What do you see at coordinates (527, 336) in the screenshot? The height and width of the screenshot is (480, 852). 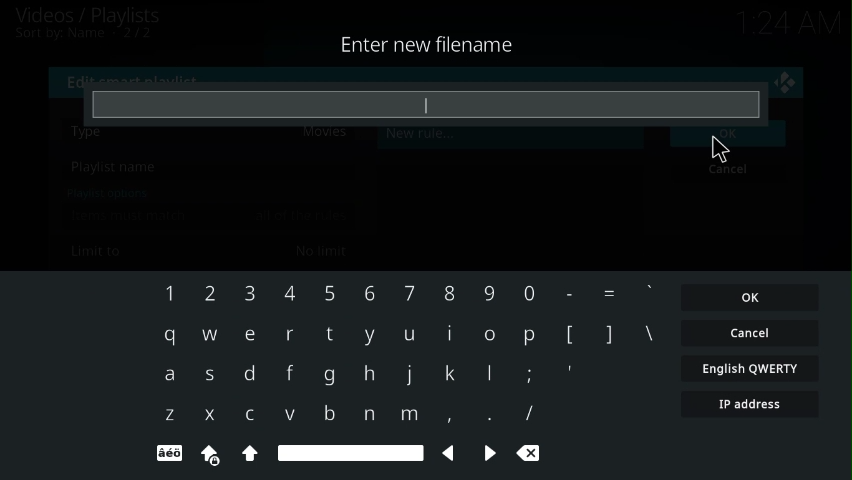 I see `p` at bounding box center [527, 336].